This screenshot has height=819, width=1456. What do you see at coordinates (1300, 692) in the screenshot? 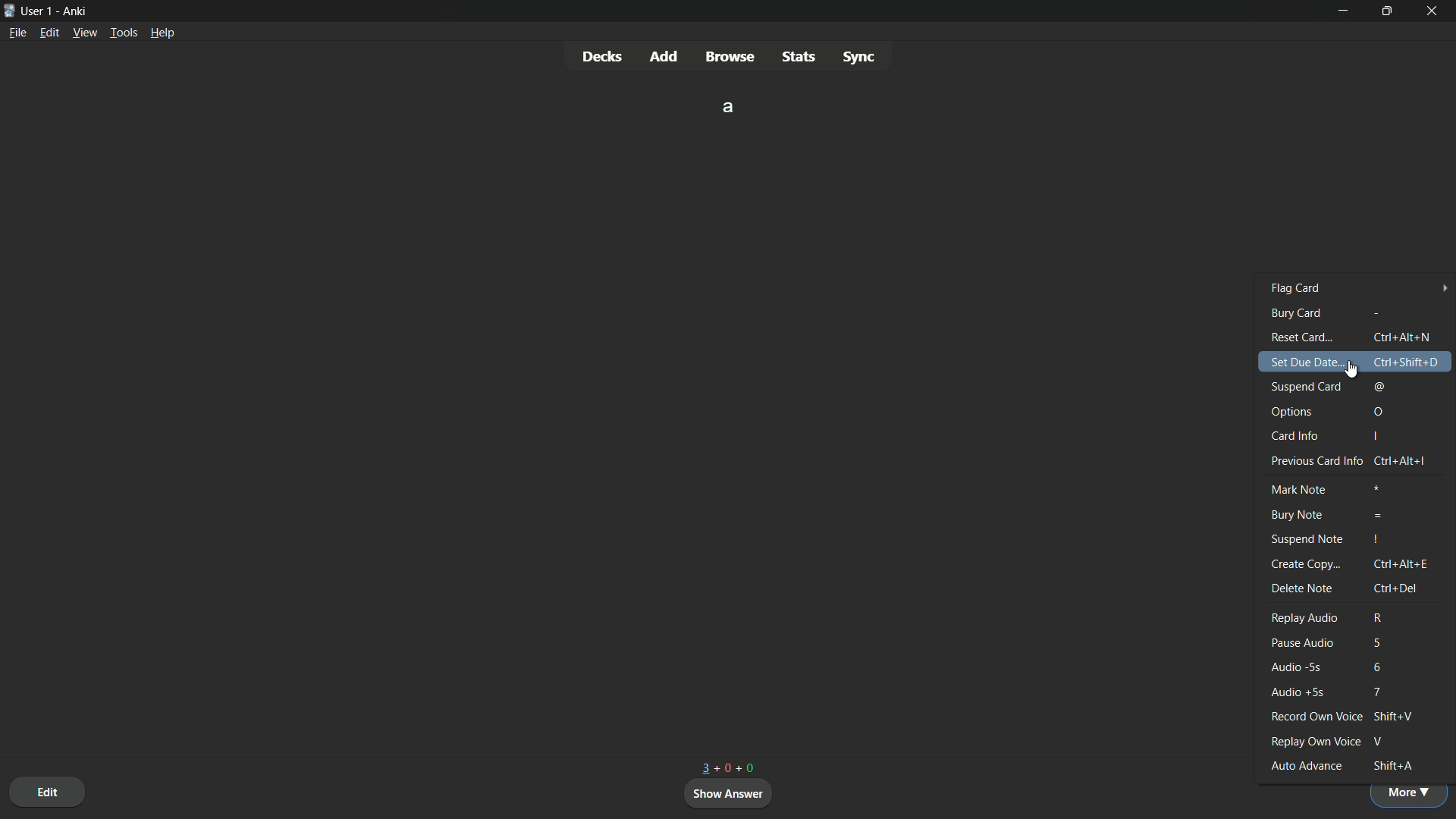
I see `audio +5s` at bounding box center [1300, 692].